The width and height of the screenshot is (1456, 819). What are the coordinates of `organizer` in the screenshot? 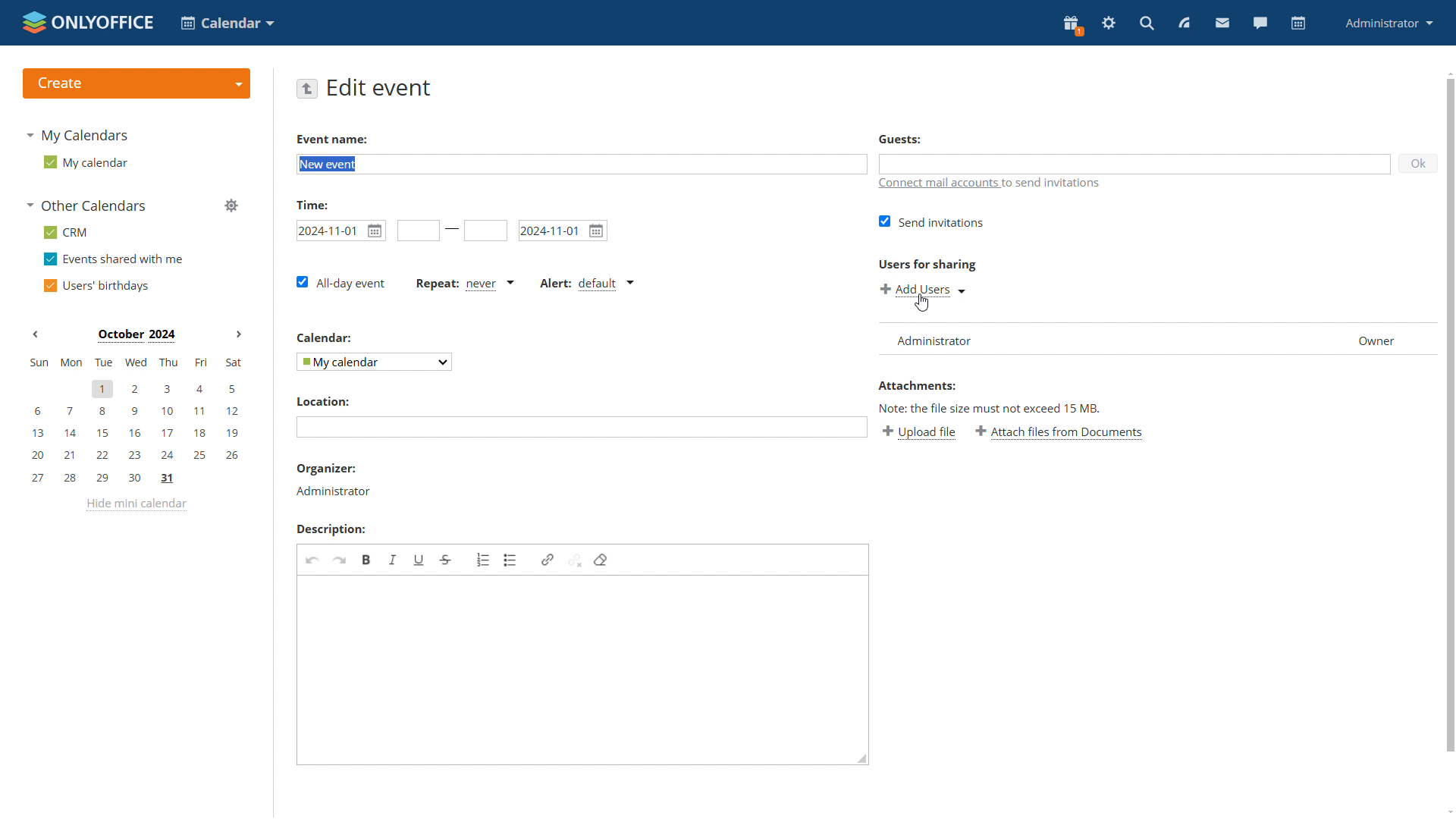 It's located at (334, 491).